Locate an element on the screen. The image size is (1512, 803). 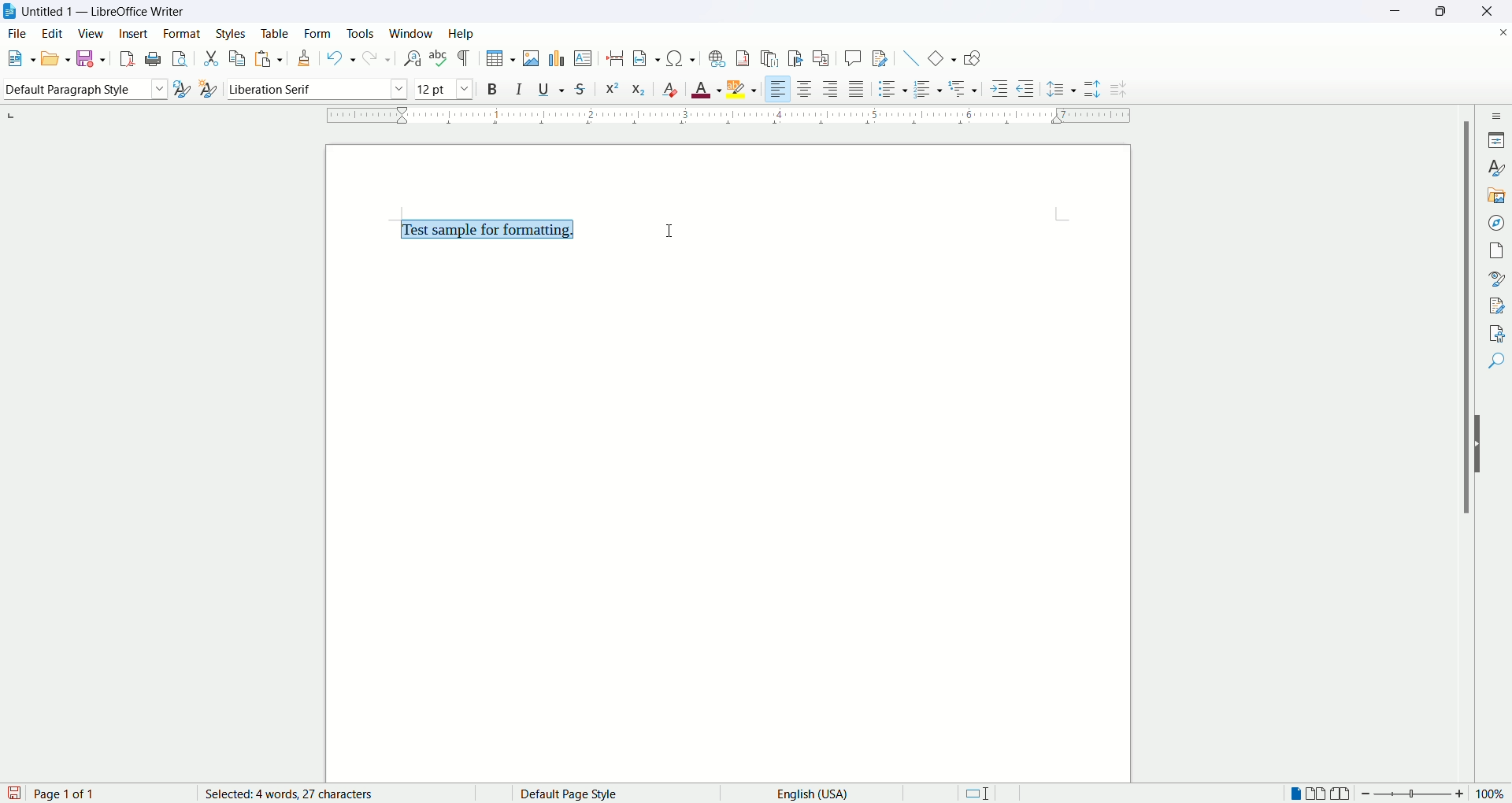
insert hyperlink is located at coordinates (715, 57).